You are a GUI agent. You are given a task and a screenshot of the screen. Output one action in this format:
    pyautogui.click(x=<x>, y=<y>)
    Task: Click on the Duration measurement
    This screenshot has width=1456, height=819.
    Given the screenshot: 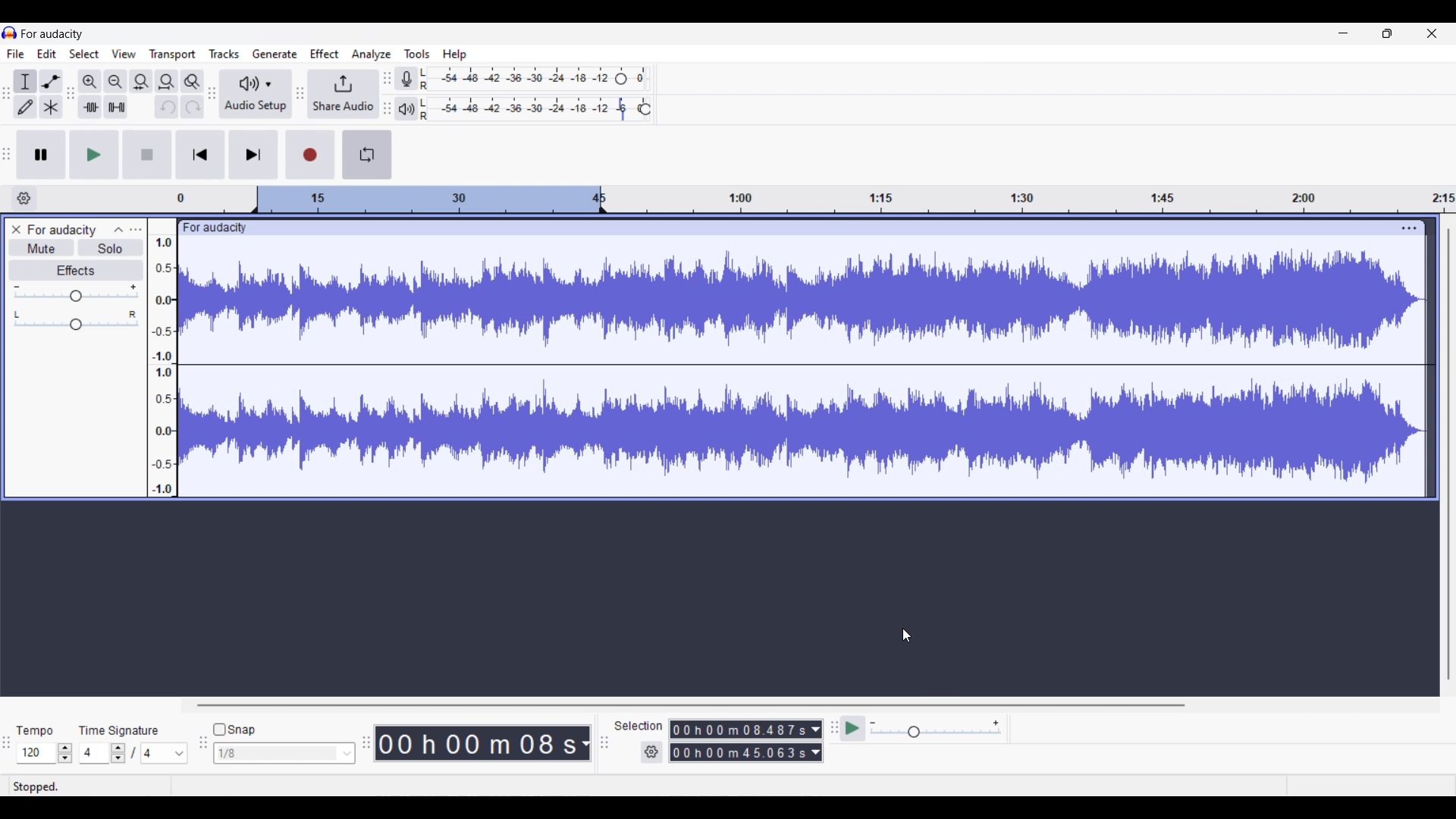 What is the action you would take?
    pyautogui.click(x=815, y=752)
    